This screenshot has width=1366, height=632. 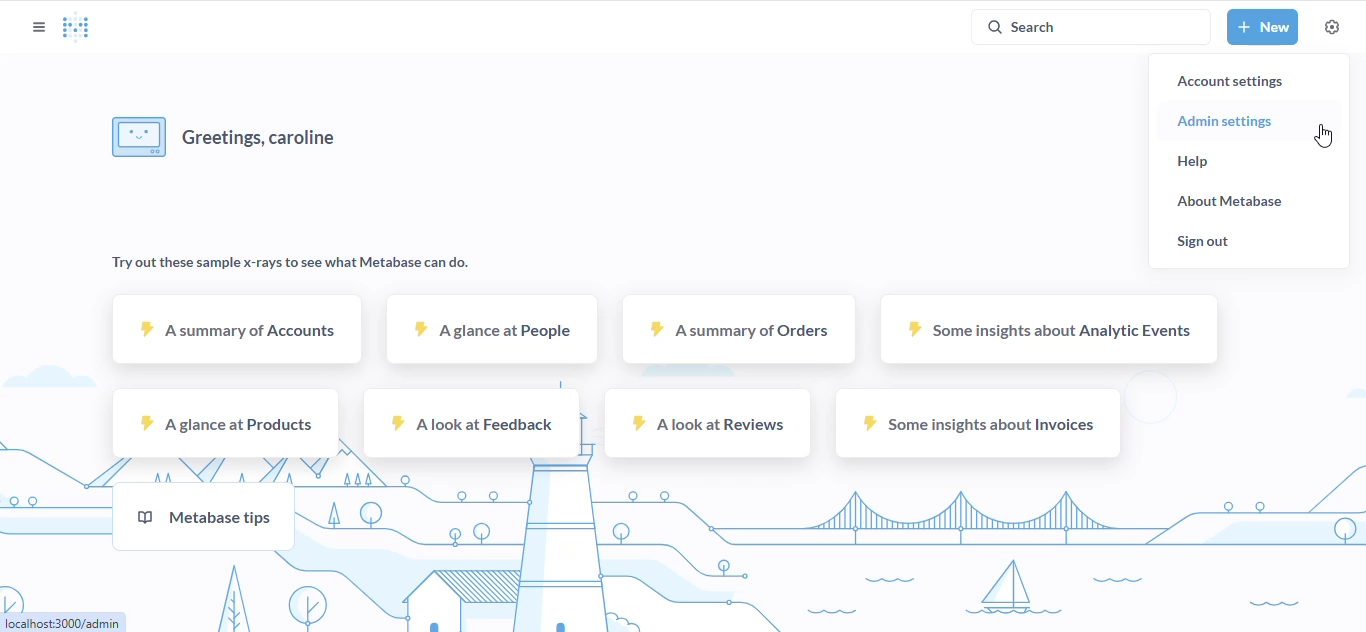 I want to click on a glance at products, so click(x=226, y=423).